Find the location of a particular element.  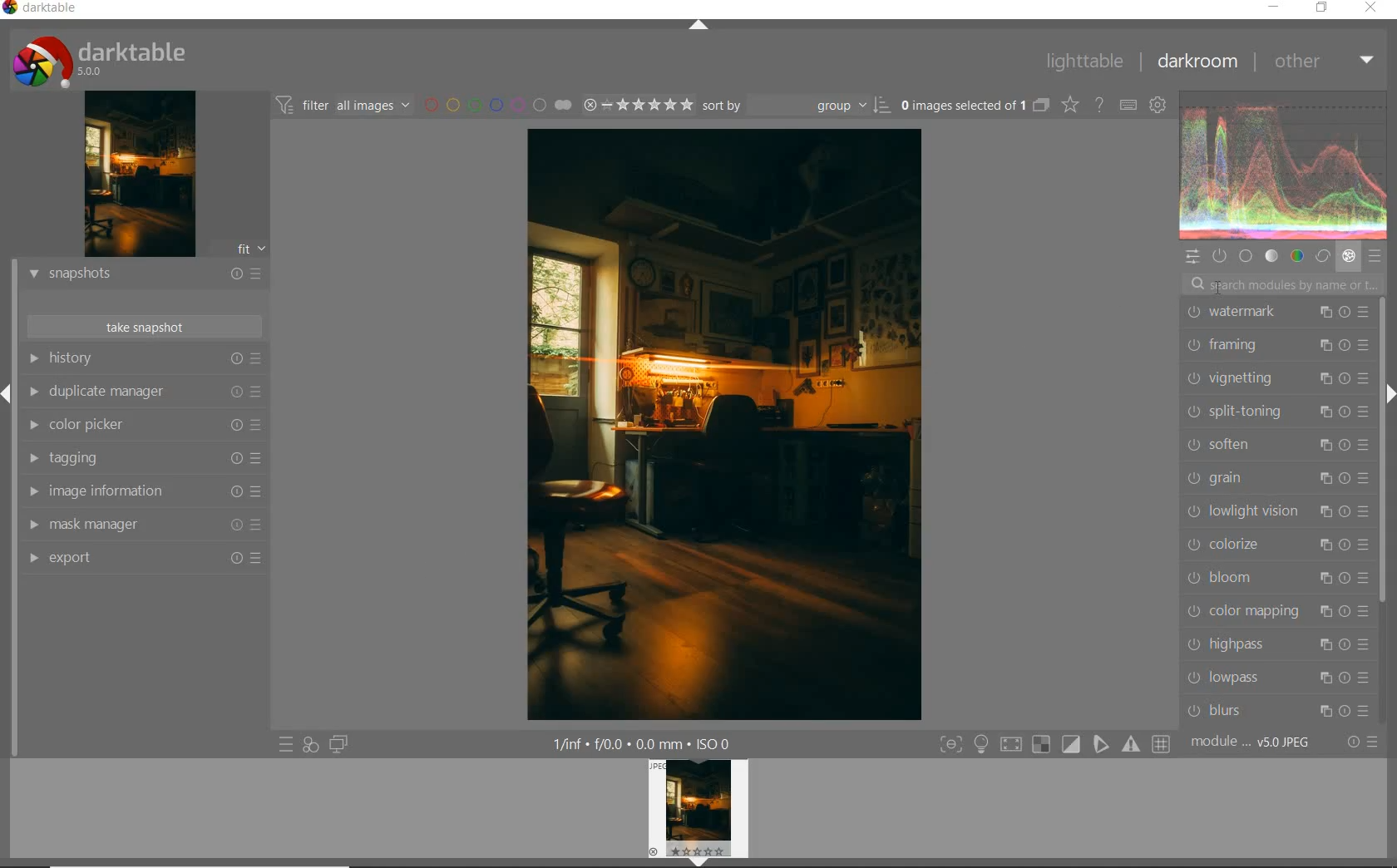

expand grouped images is located at coordinates (975, 105).